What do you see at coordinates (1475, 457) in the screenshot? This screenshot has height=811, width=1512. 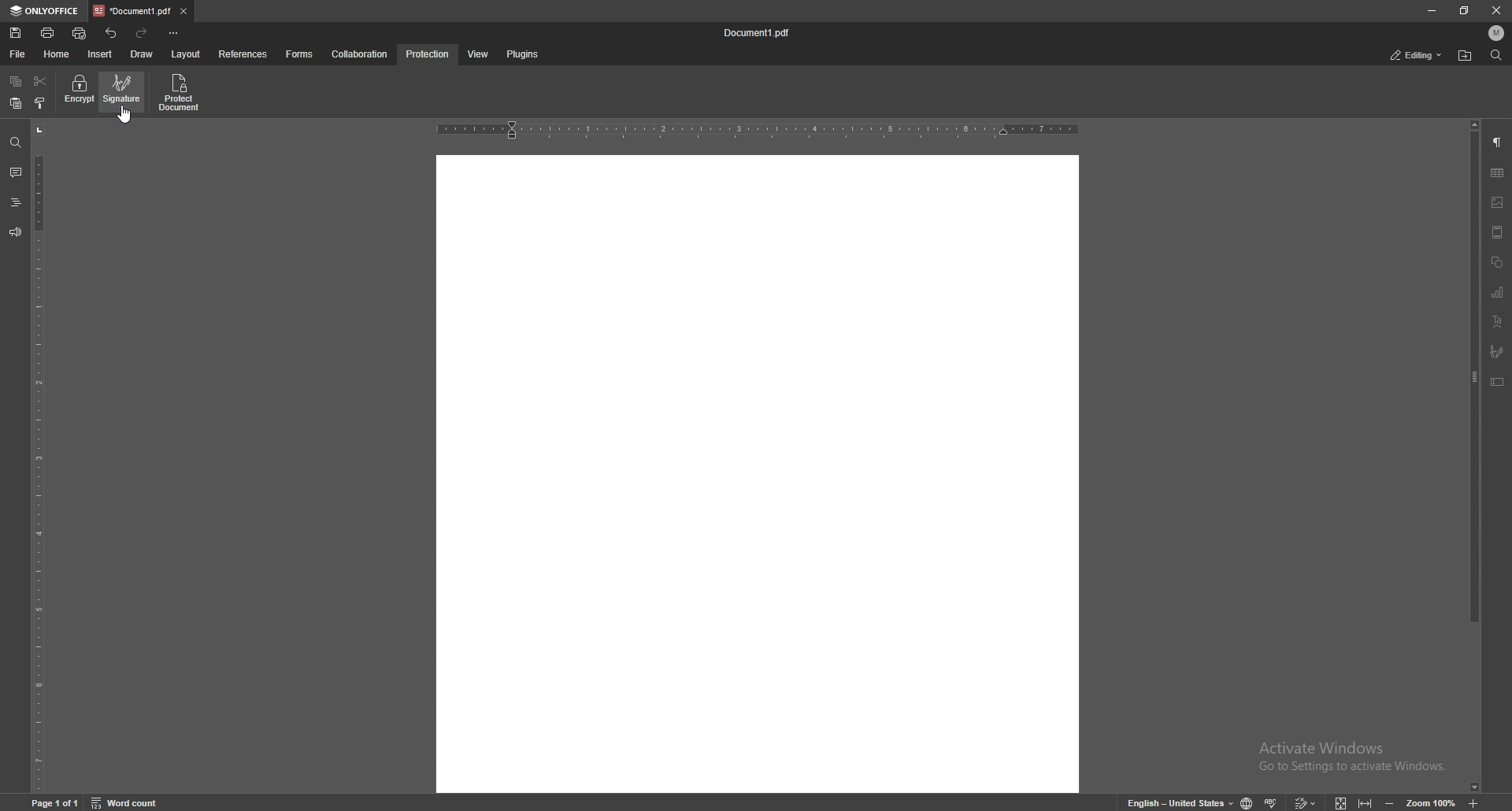 I see `scroll bar` at bounding box center [1475, 457].